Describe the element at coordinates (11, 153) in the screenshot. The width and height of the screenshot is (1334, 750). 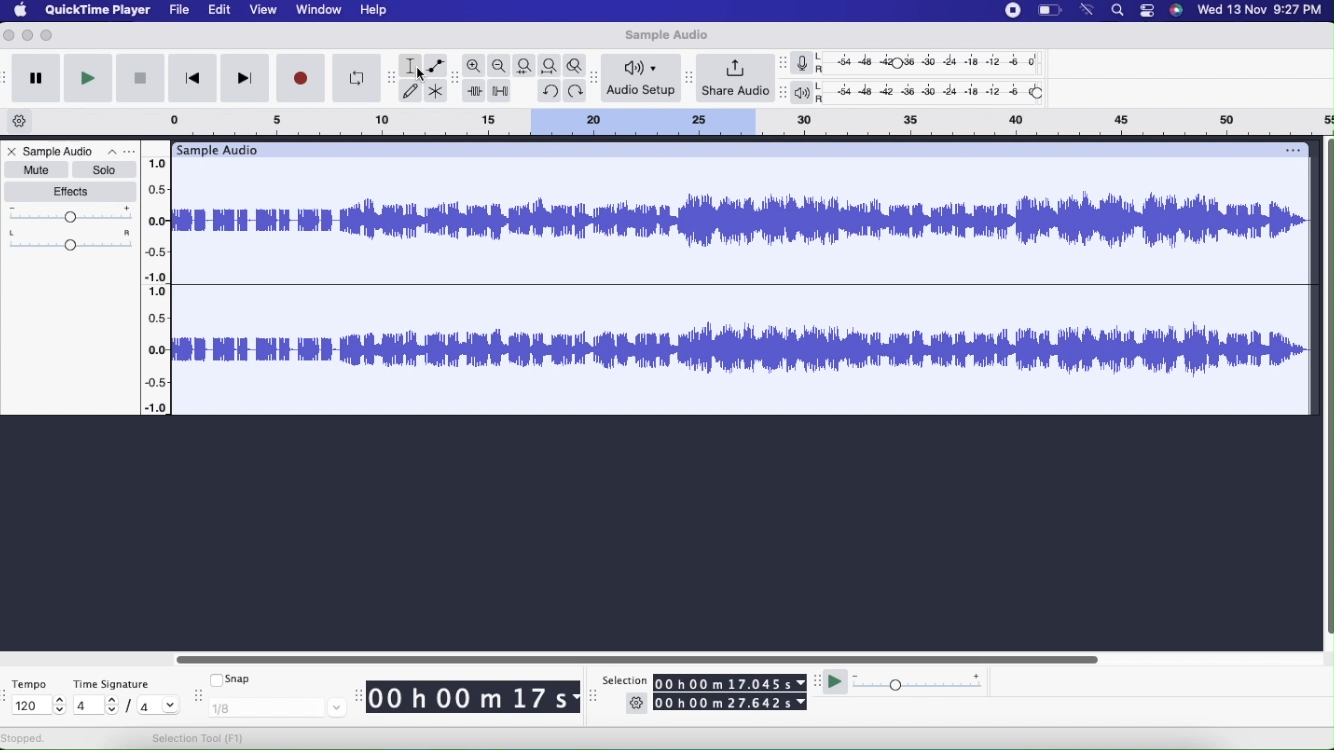
I see `Close` at that location.